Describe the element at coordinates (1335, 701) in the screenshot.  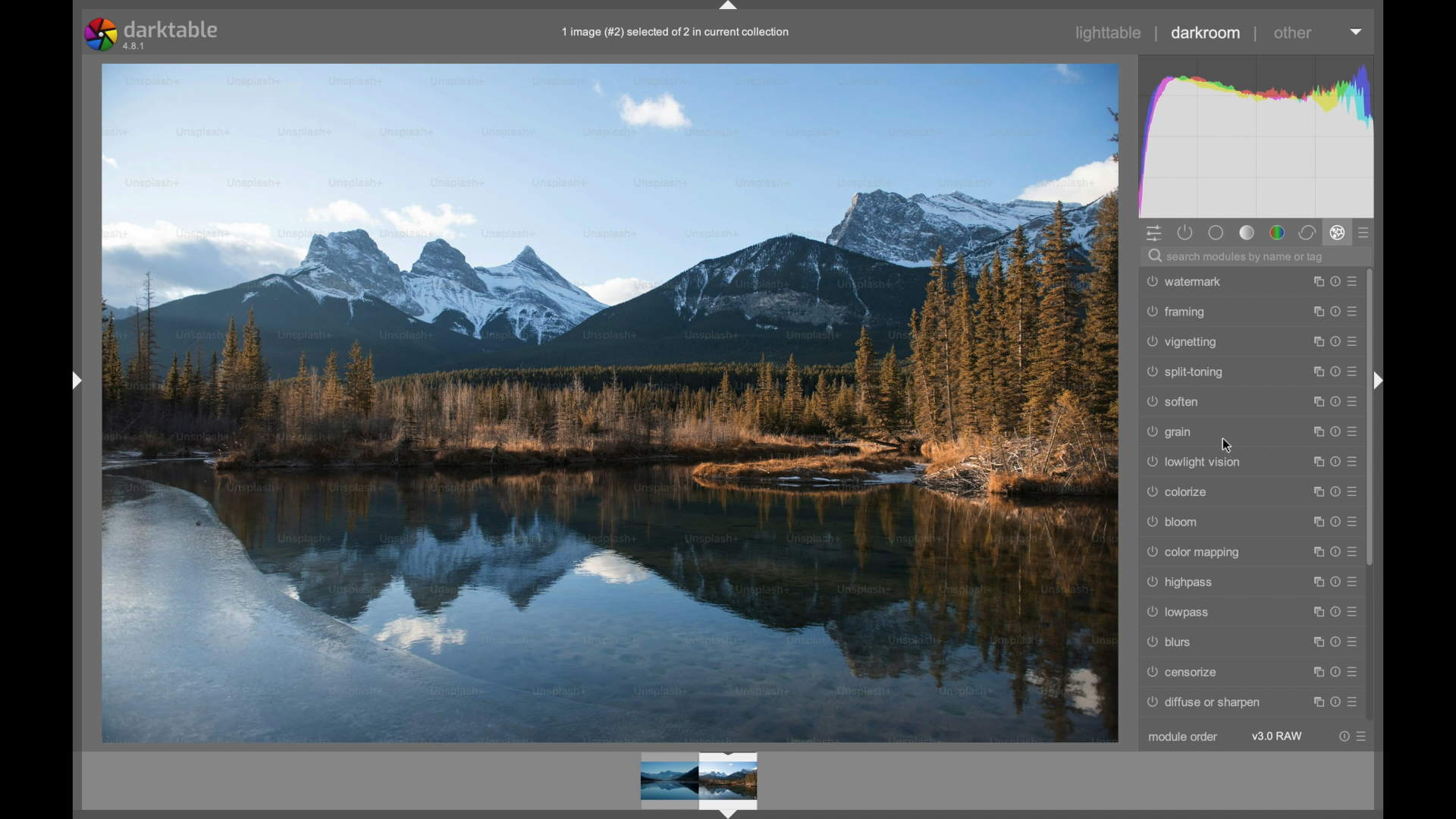
I see `reset parameters` at that location.